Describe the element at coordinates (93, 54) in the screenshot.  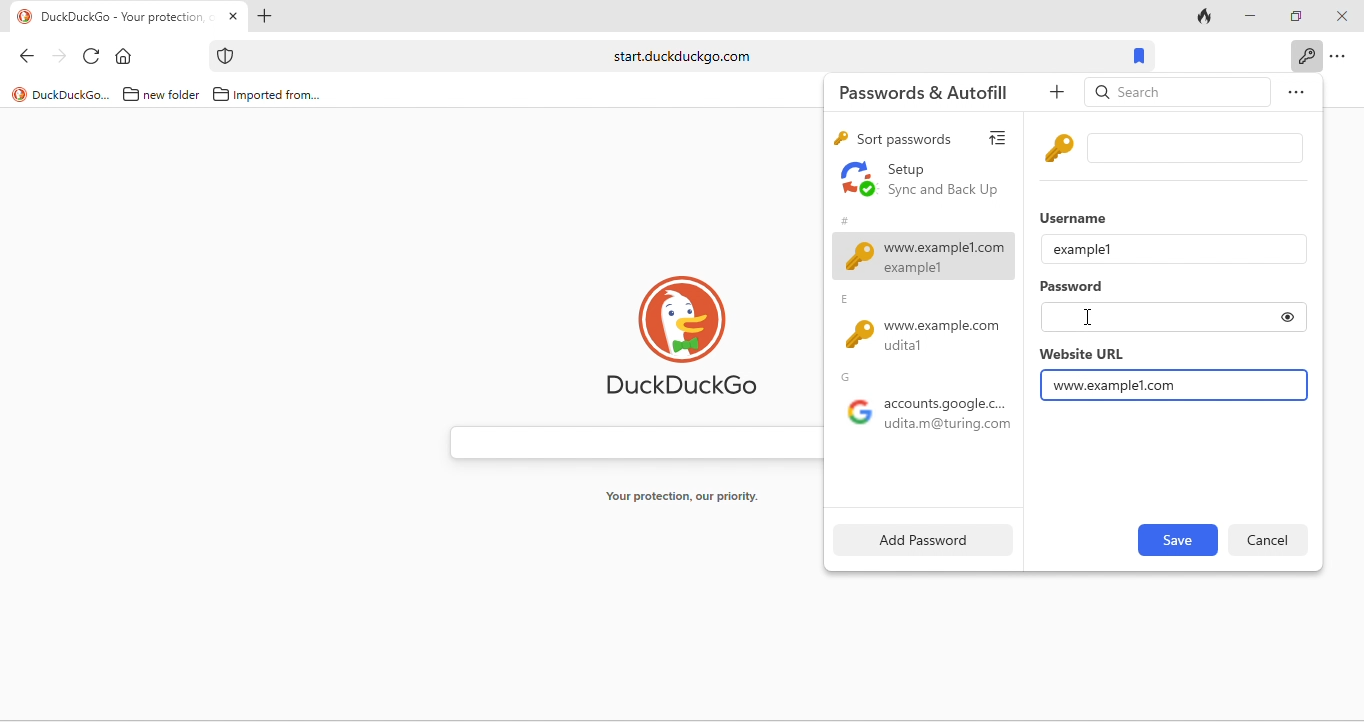
I see `reload` at that location.